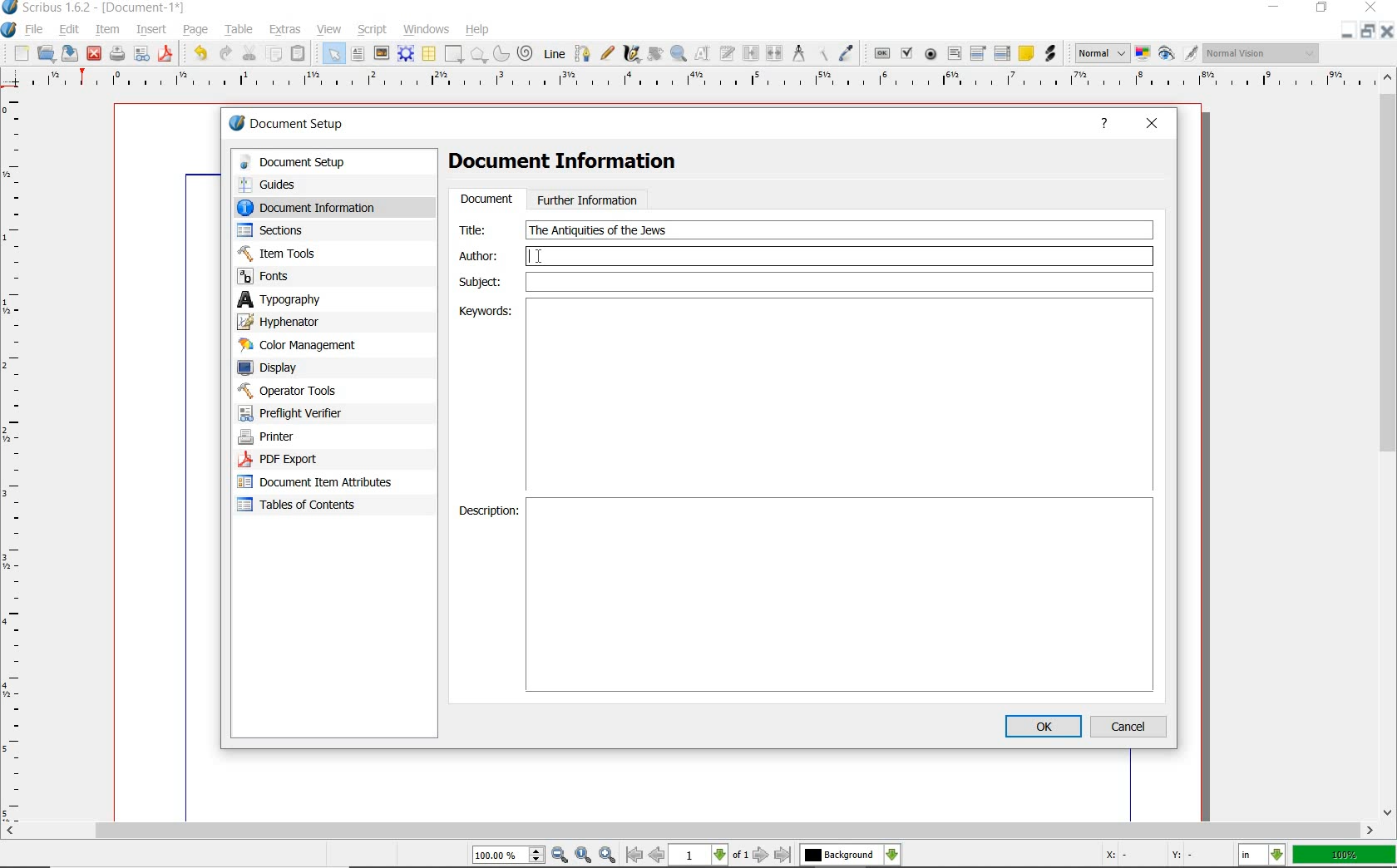 The height and width of the screenshot is (868, 1397). I want to click on undo, so click(200, 55).